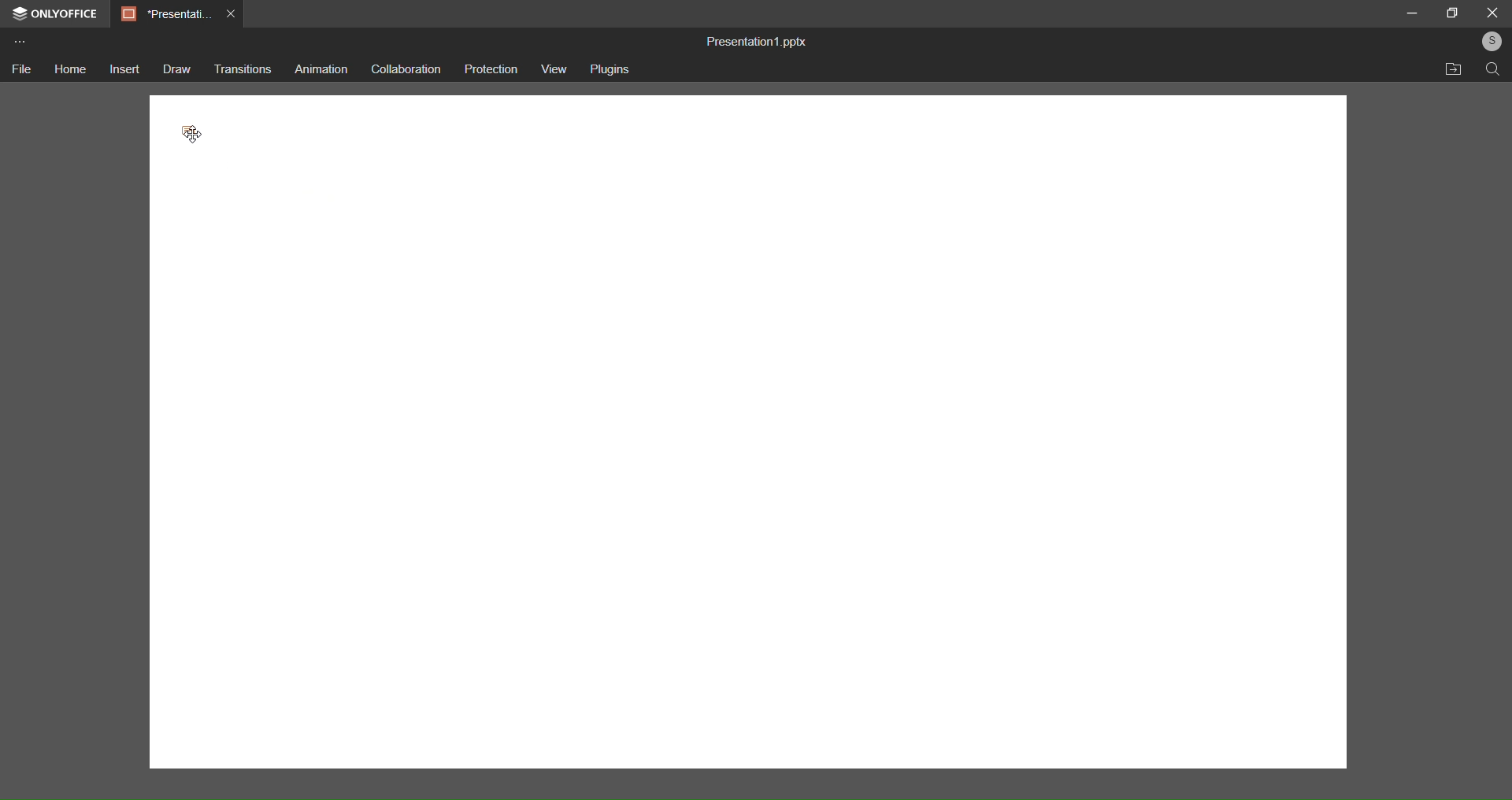 The image size is (1512, 800). I want to click on plugins, so click(614, 70).